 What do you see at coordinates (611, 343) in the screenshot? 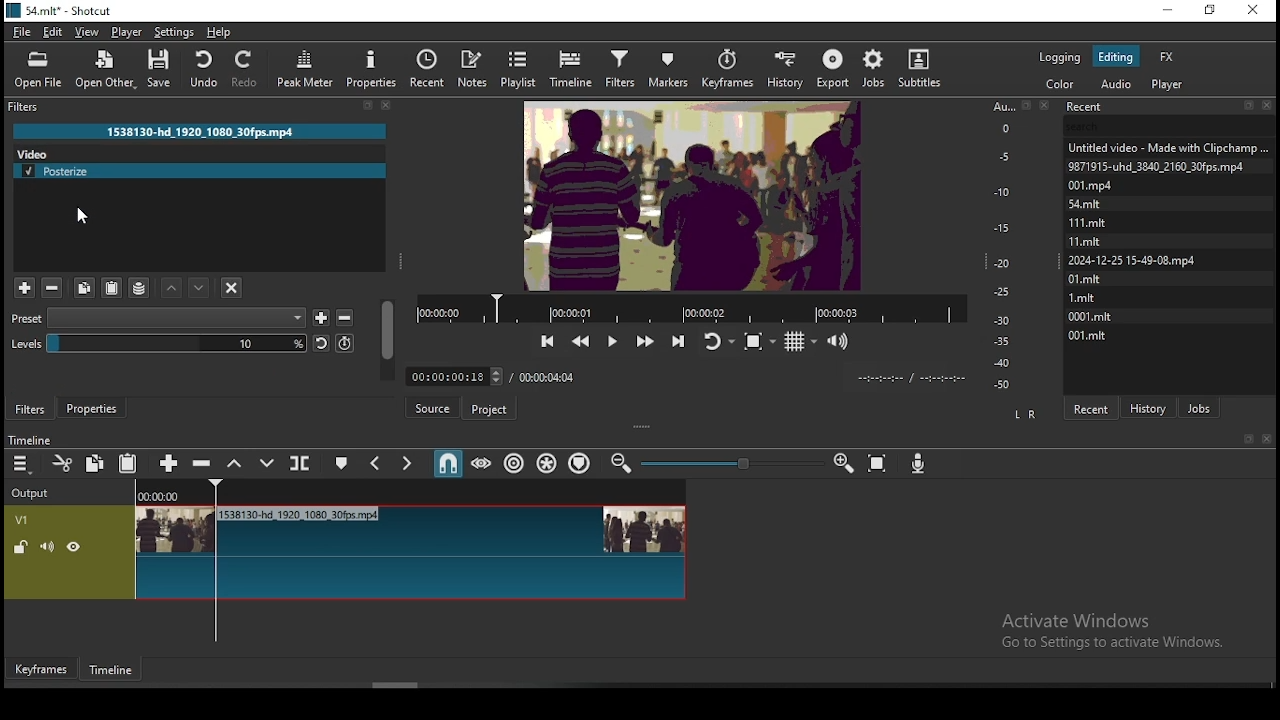
I see `play/pause` at bounding box center [611, 343].